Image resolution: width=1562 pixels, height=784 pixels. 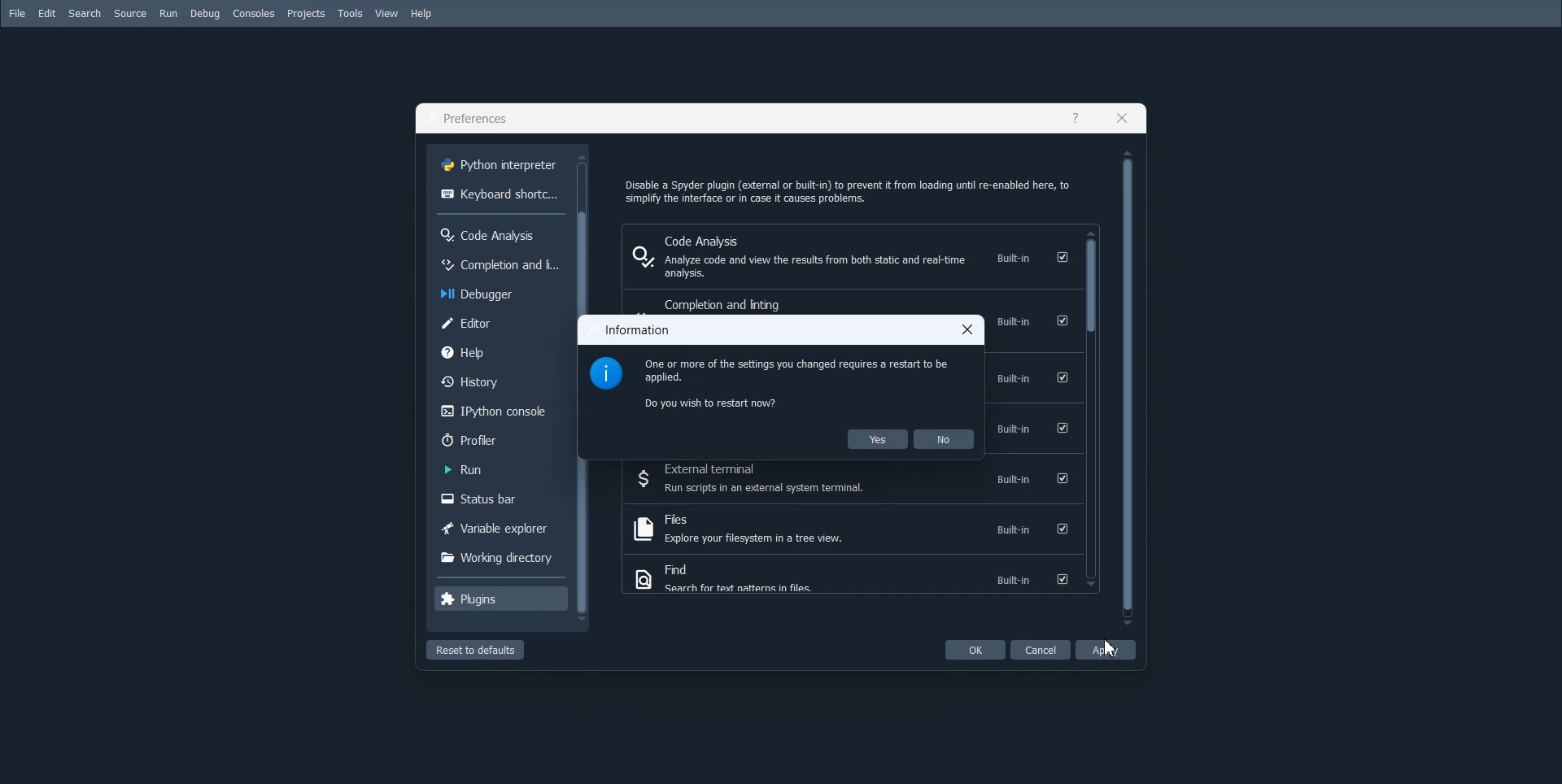 What do you see at coordinates (17, 13) in the screenshot?
I see `File` at bounding box center [17, 13].